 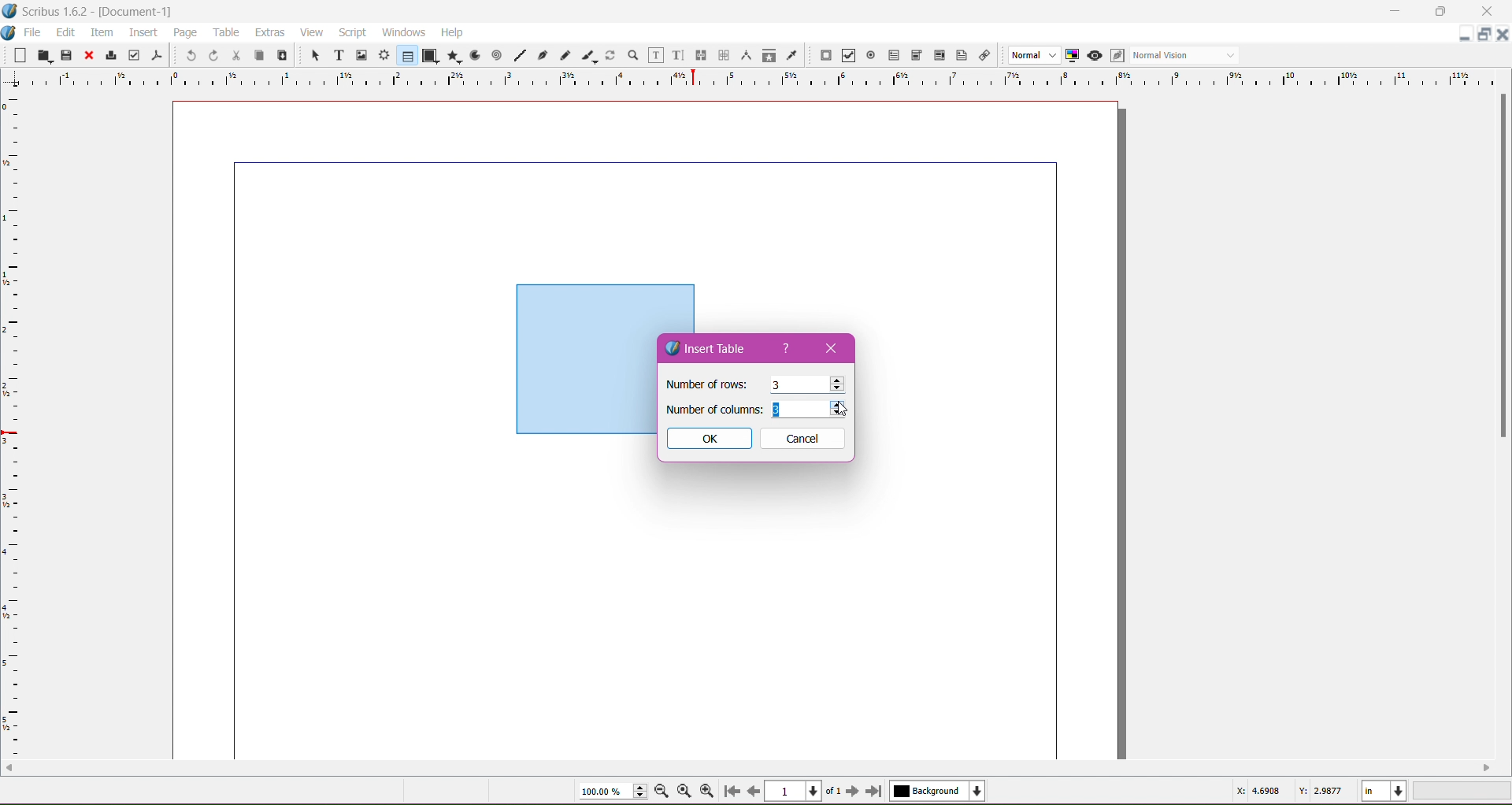 What do you see at coordinates (959, 53) in the screenshot?
I see `Text Annotation` at bounding box center [959, 53].